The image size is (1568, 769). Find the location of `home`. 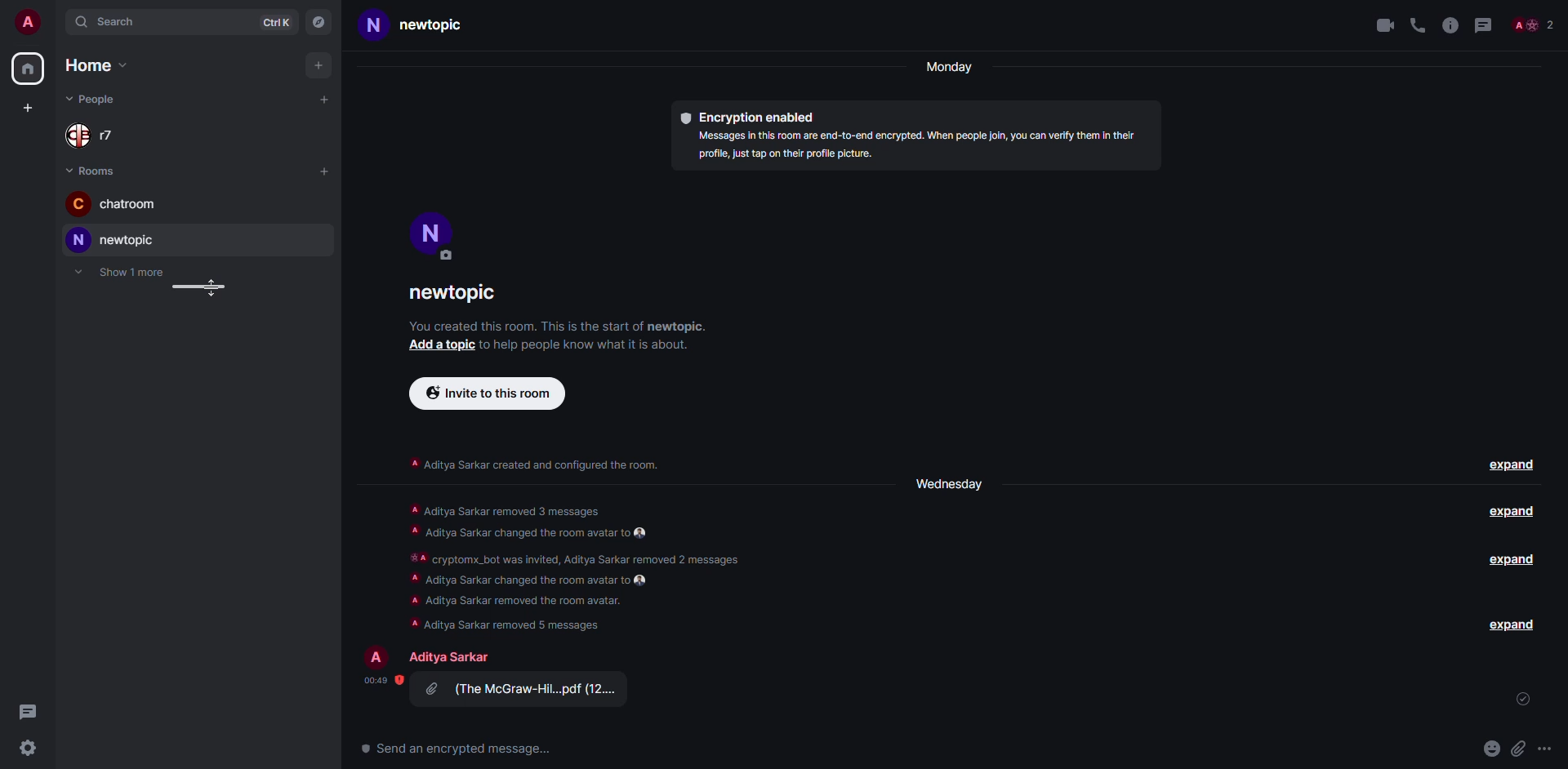

home is located at coordinates (95, 66).